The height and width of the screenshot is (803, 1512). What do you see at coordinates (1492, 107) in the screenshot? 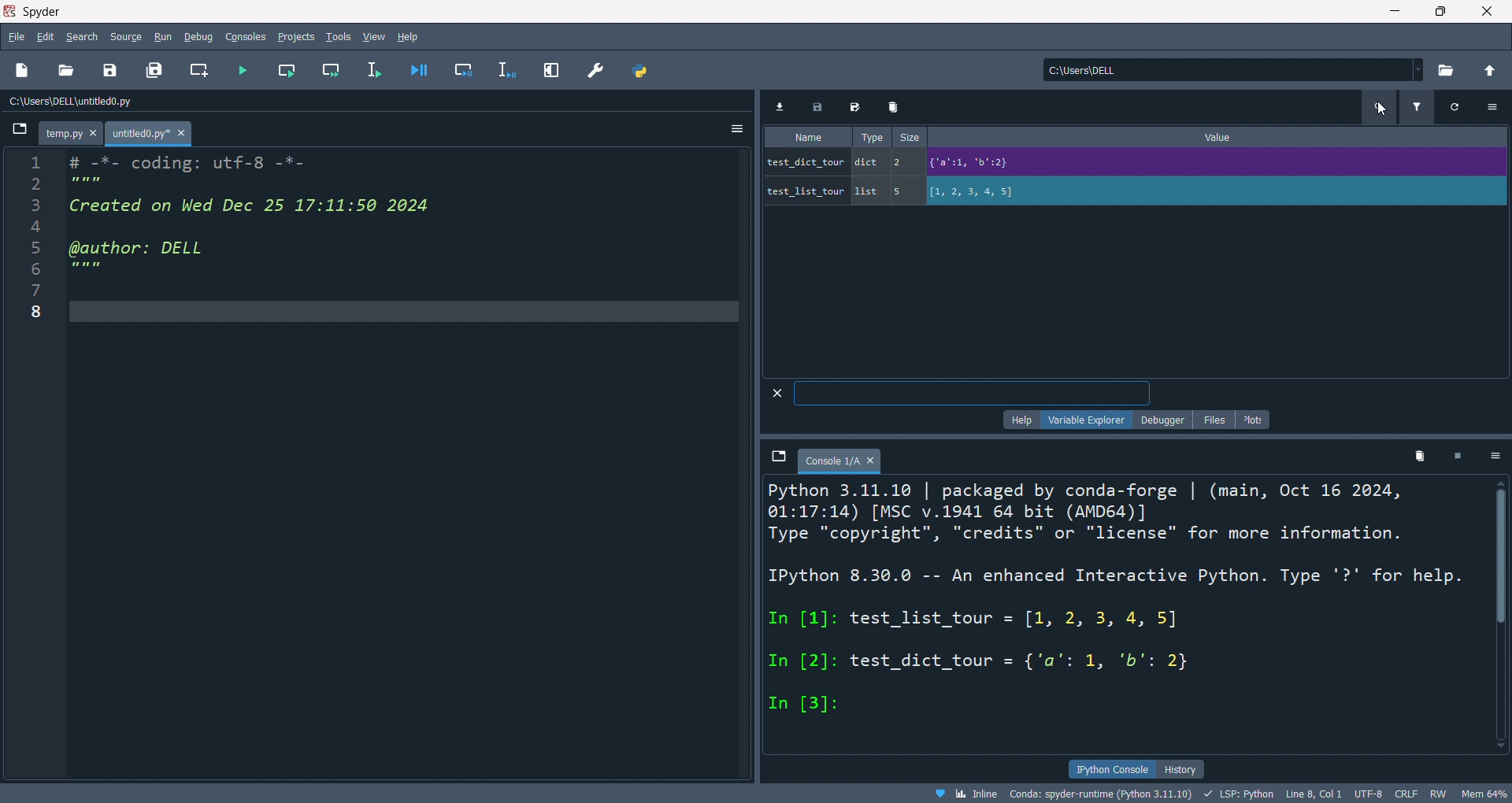
I see `options` at bounding box center [1492, 107].